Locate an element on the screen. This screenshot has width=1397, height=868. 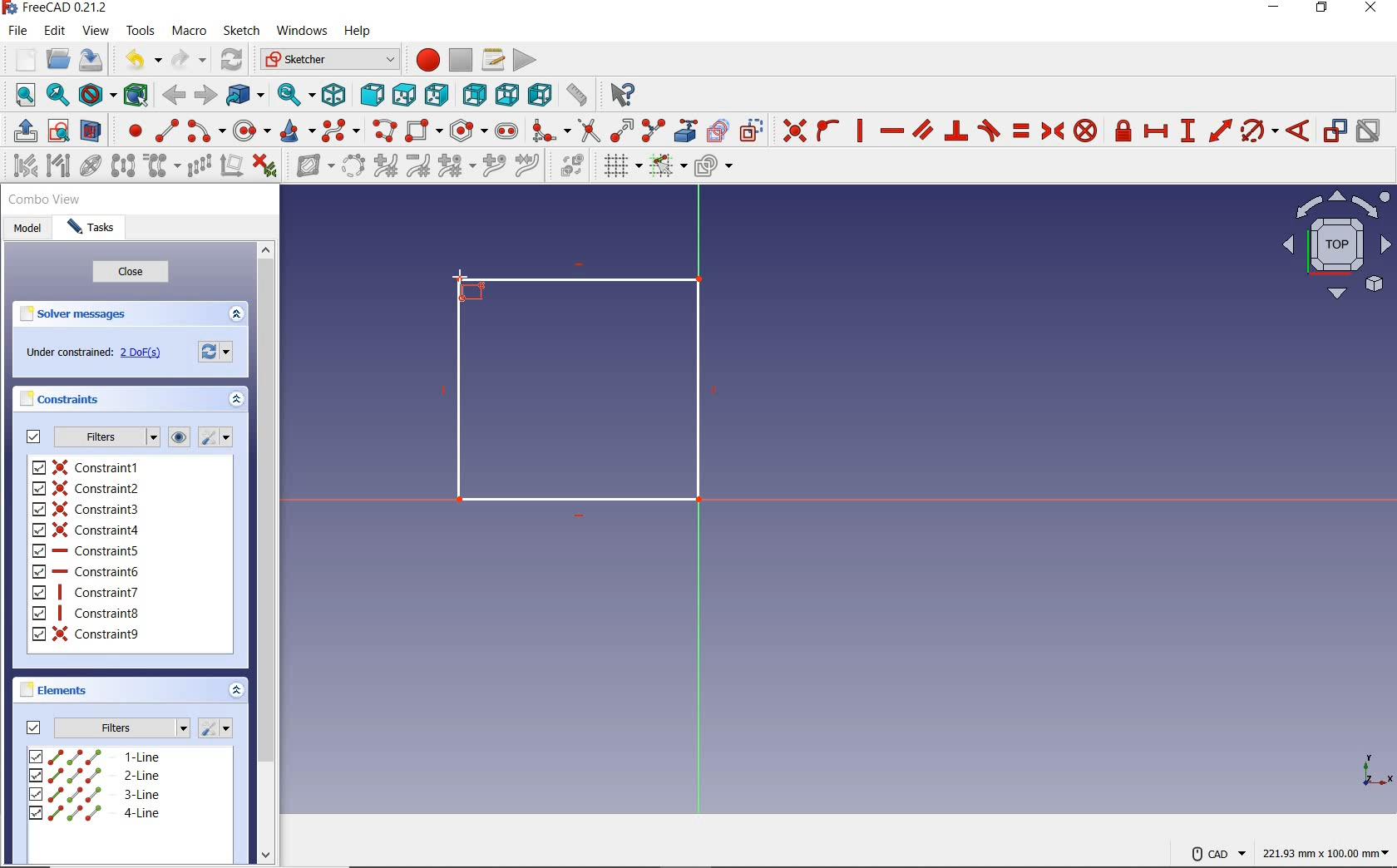
left is located at coordinates (538, 96).